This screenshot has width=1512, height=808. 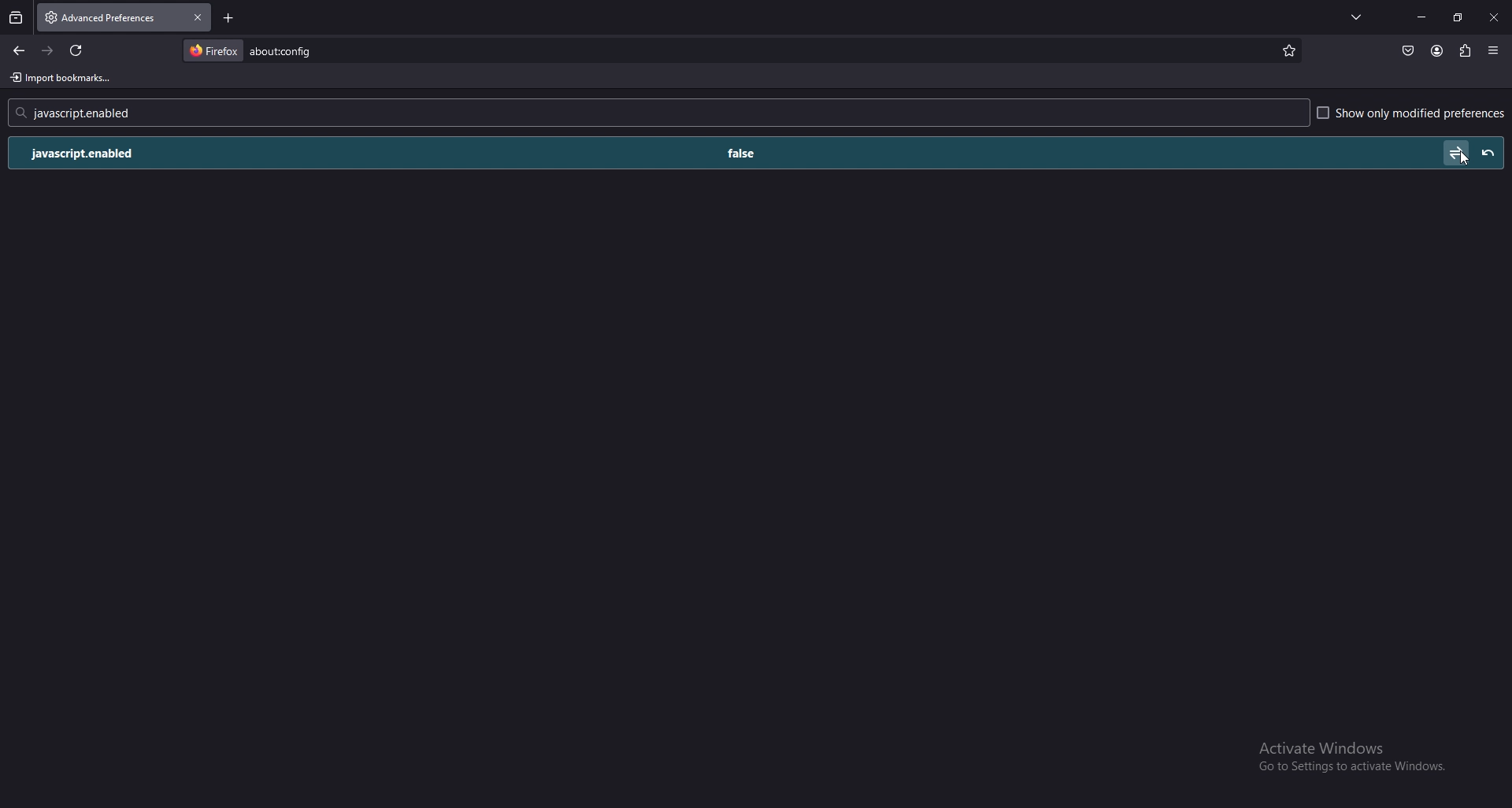 I want to click on preference, so click(x=106, y=153).